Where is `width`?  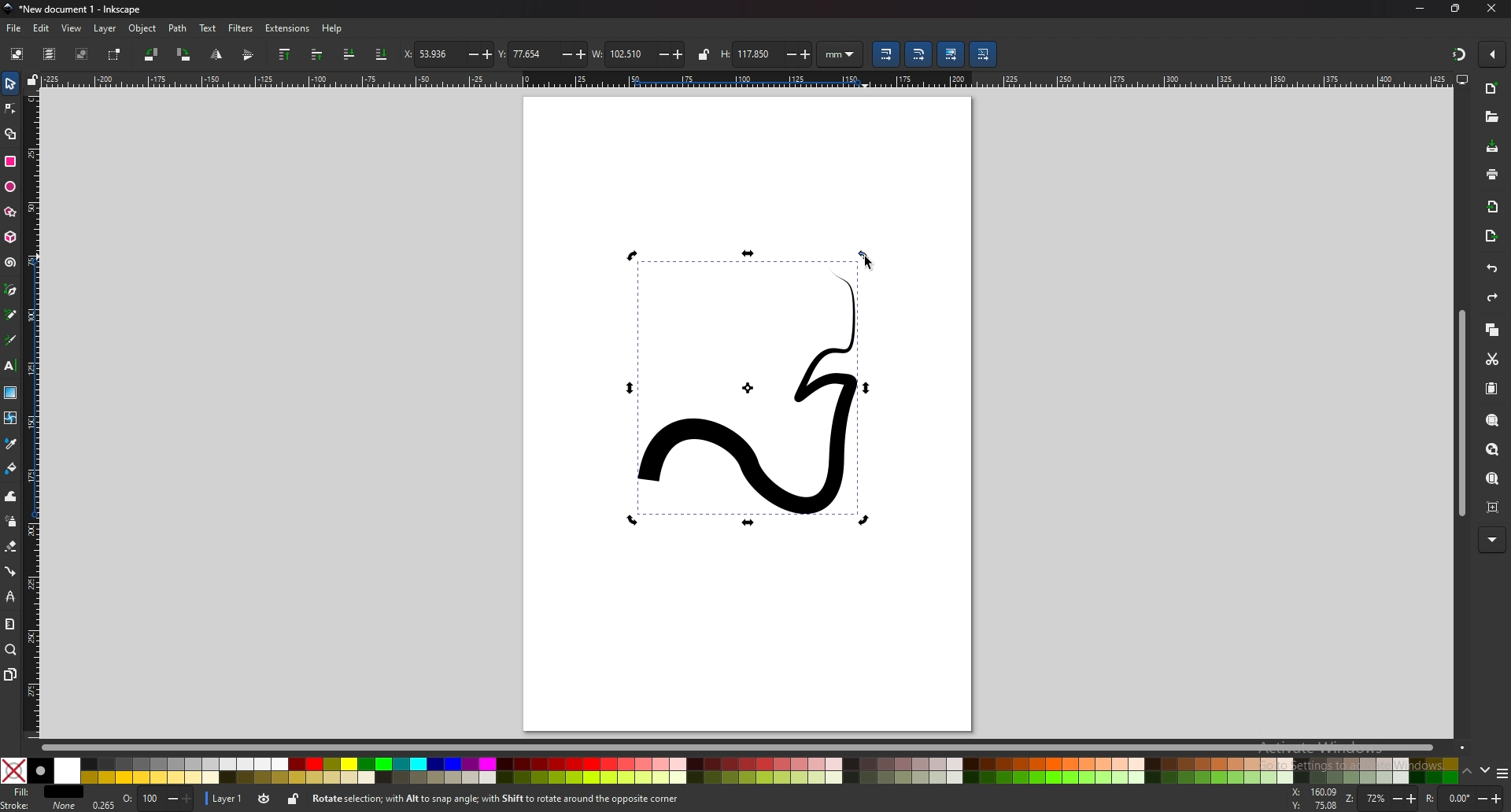 width is located at coordinates (637, 54).